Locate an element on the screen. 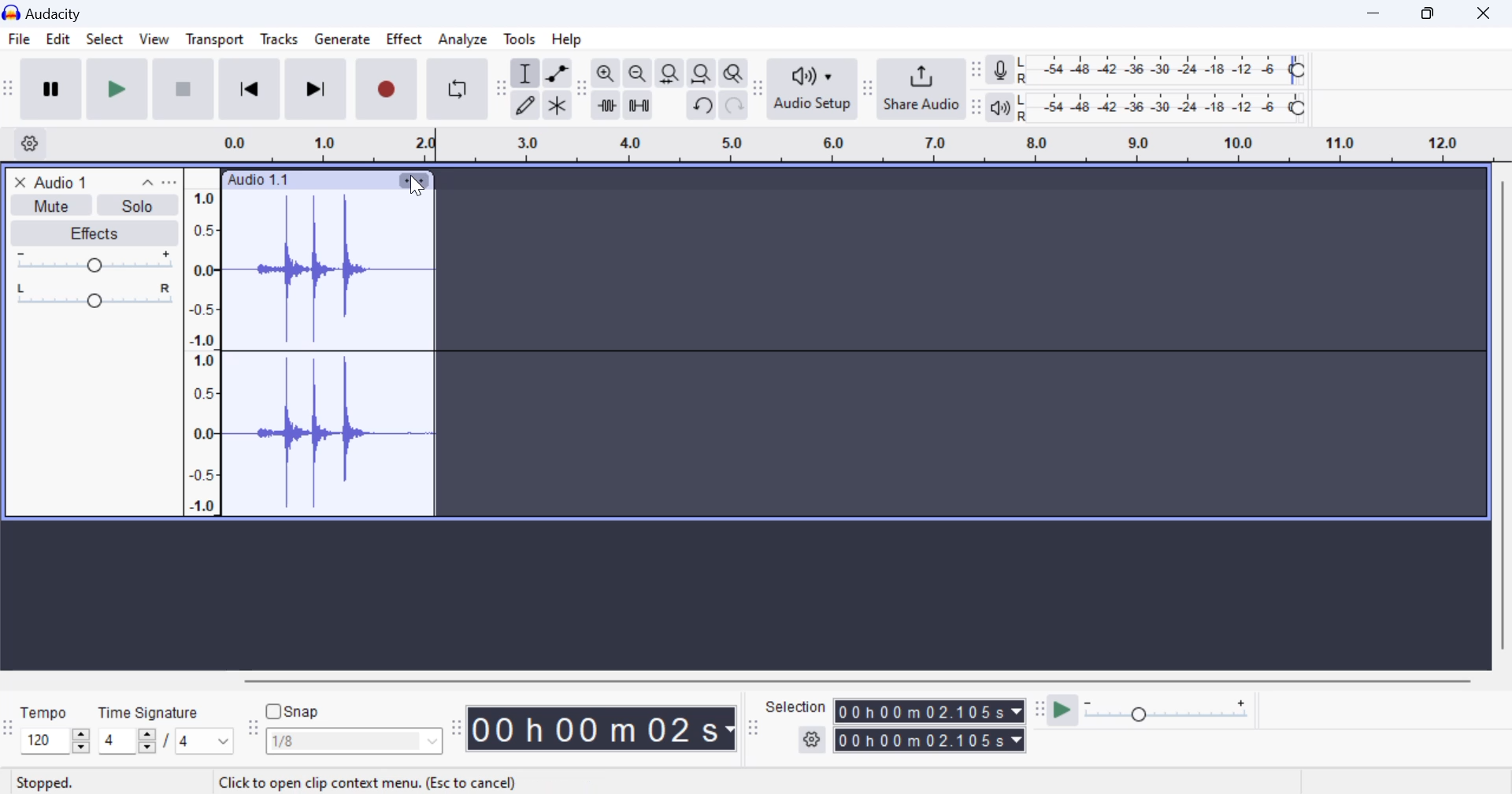  Transport is located at coordinates (214, 42).